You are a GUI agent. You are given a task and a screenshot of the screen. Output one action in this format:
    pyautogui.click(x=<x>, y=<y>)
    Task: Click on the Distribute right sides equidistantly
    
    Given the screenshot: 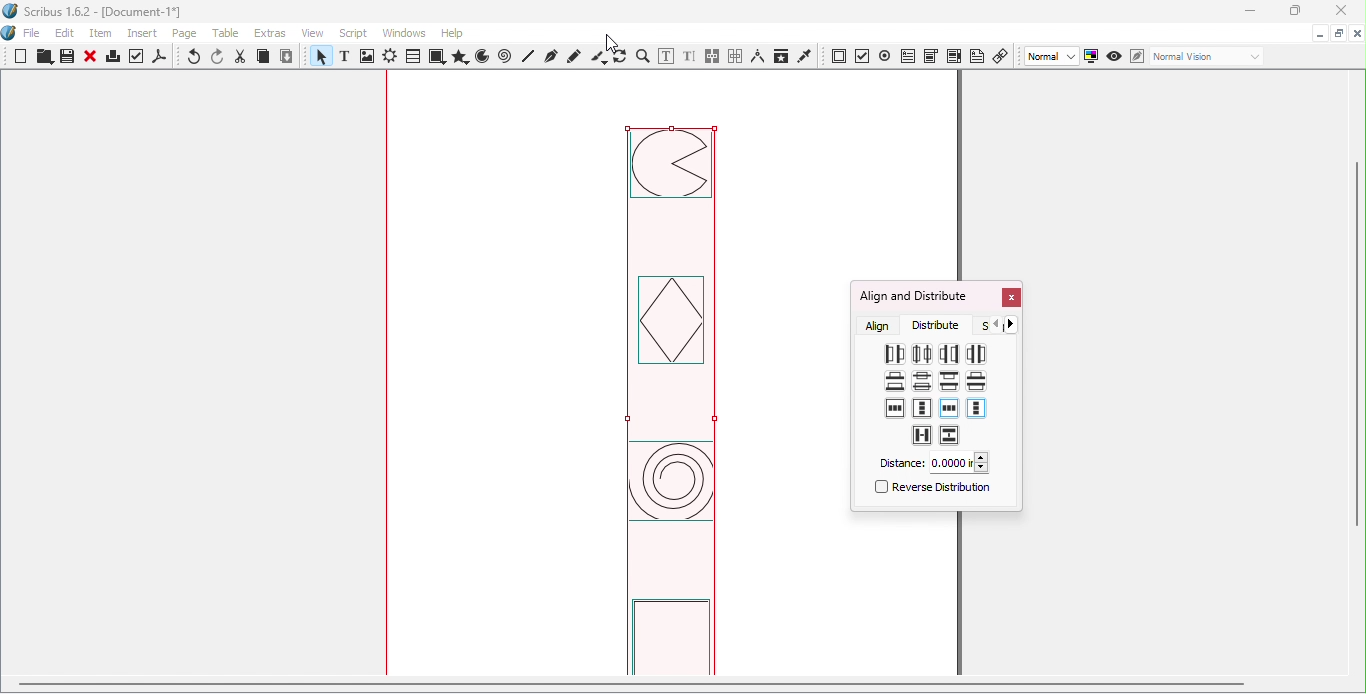 What is the action you would take?
    pyautogui.click(x=948, y=353)
    